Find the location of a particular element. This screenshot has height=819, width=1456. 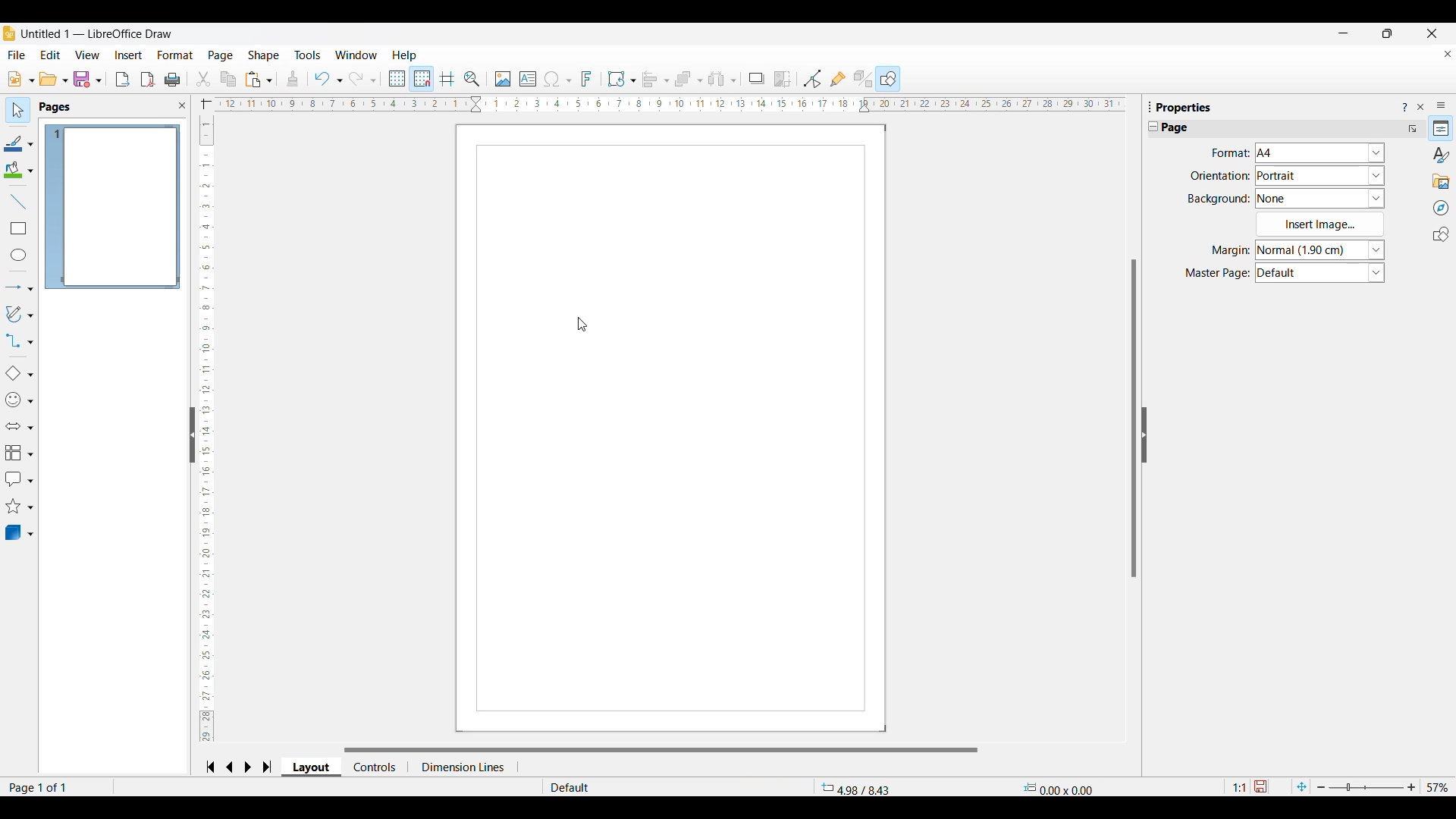

Shape menu is located at coordinates (263, 55).